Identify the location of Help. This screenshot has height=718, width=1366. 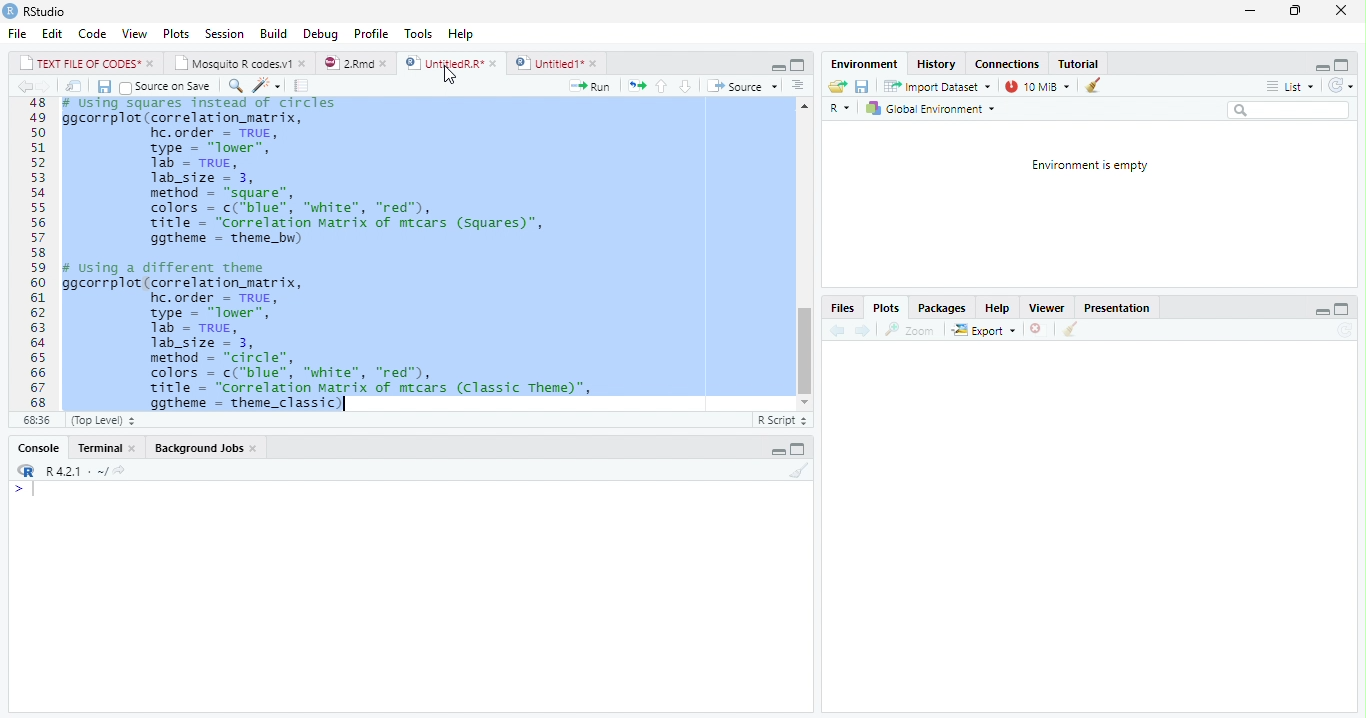
(1000, 308).